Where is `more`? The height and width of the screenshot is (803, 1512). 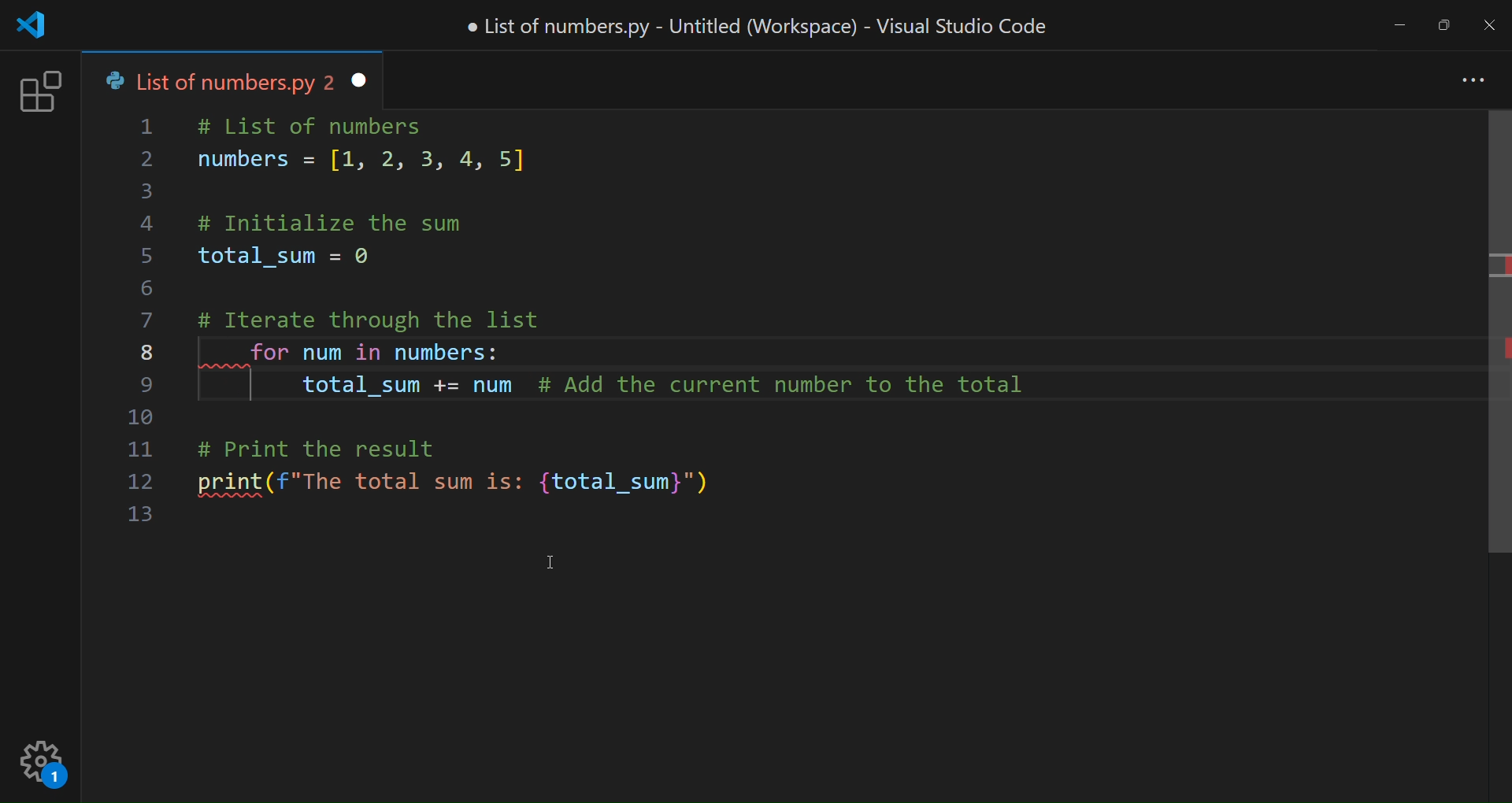 more is located at coordinates (1475, 78).